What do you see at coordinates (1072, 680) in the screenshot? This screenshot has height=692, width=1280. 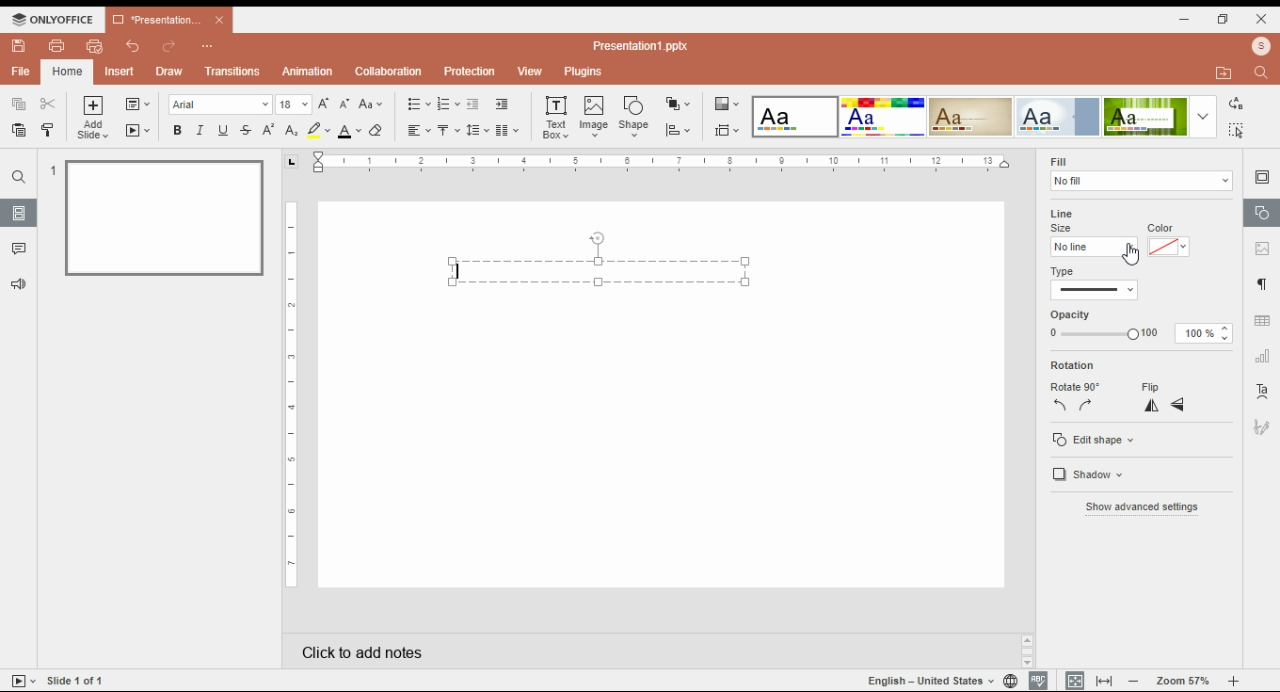 I see `fit slide` at bounding box center [1072, 680].